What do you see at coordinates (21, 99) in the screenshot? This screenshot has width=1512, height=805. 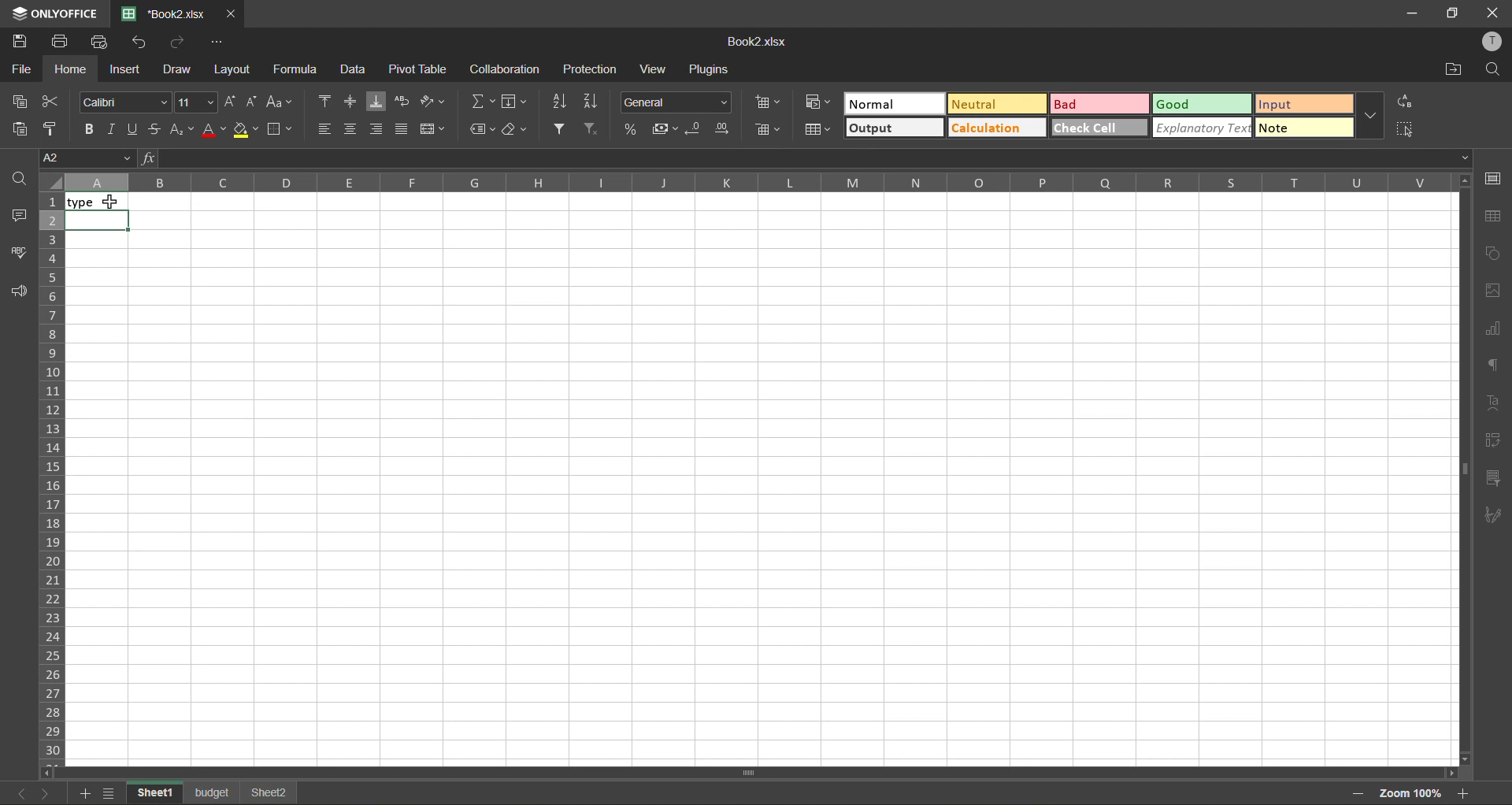 I see `copy` at bounding box center [21, 99].